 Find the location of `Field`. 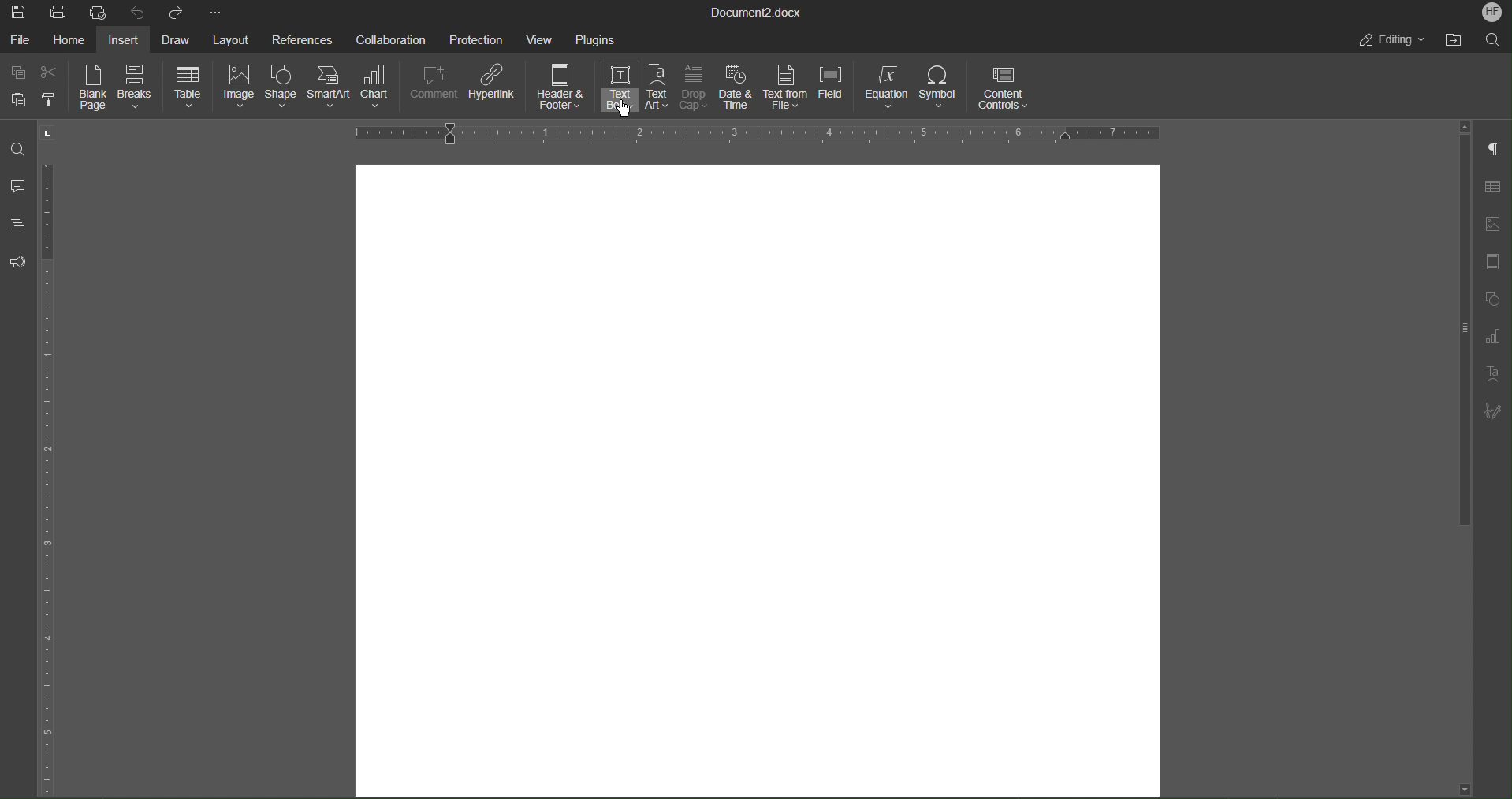

Field is located at coordinates (833, 88).